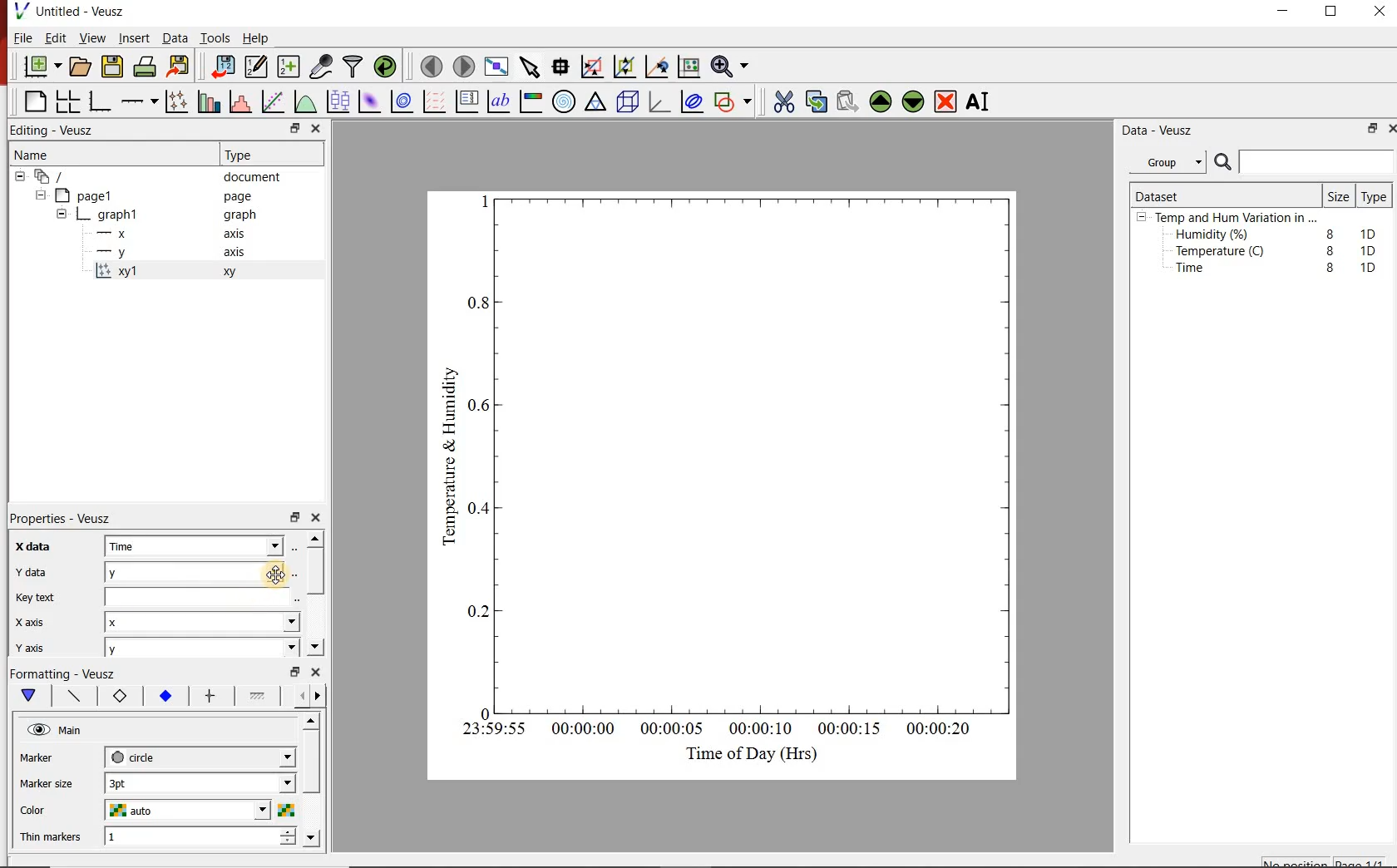 The height and width of the screenshot is (868, 1397). Describe the element at coordinates (42, 645) in the screenshot. I see `y axis` at that location.